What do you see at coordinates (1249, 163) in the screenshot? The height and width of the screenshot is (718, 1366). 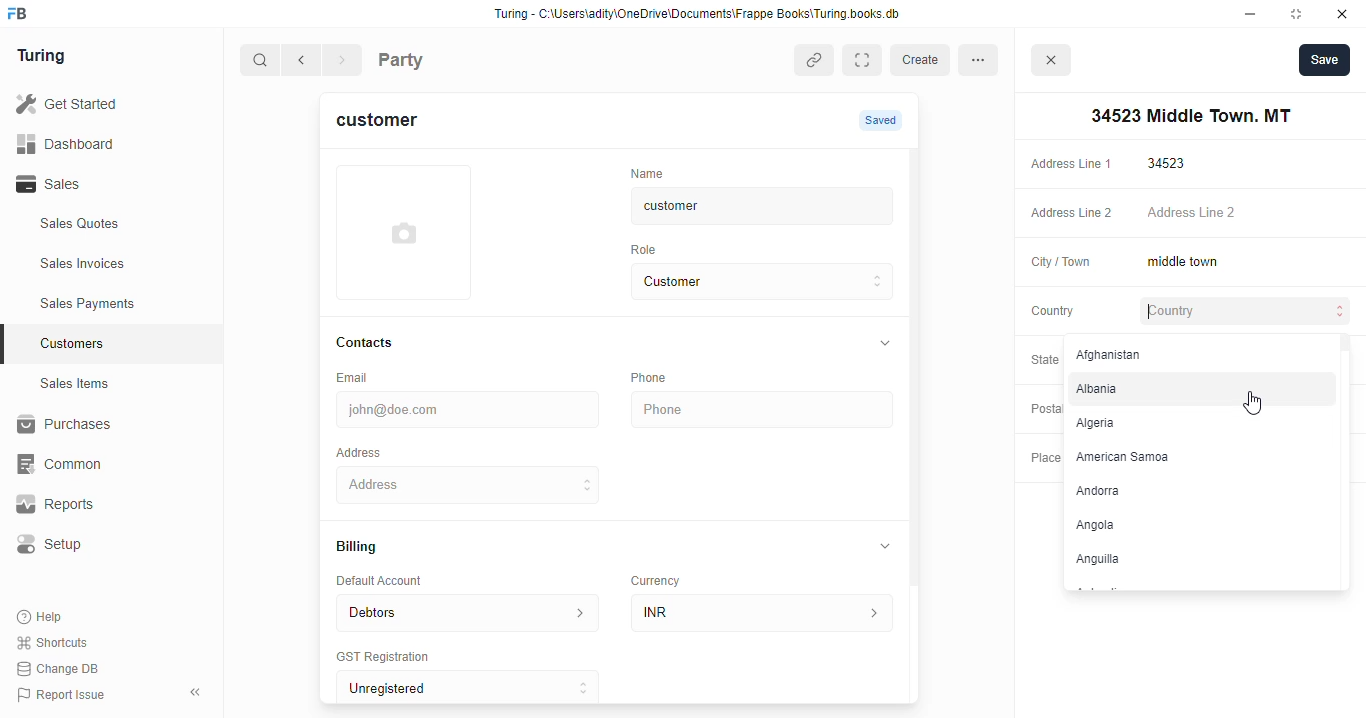 I see `34523` at bounding box center [1249, 163].